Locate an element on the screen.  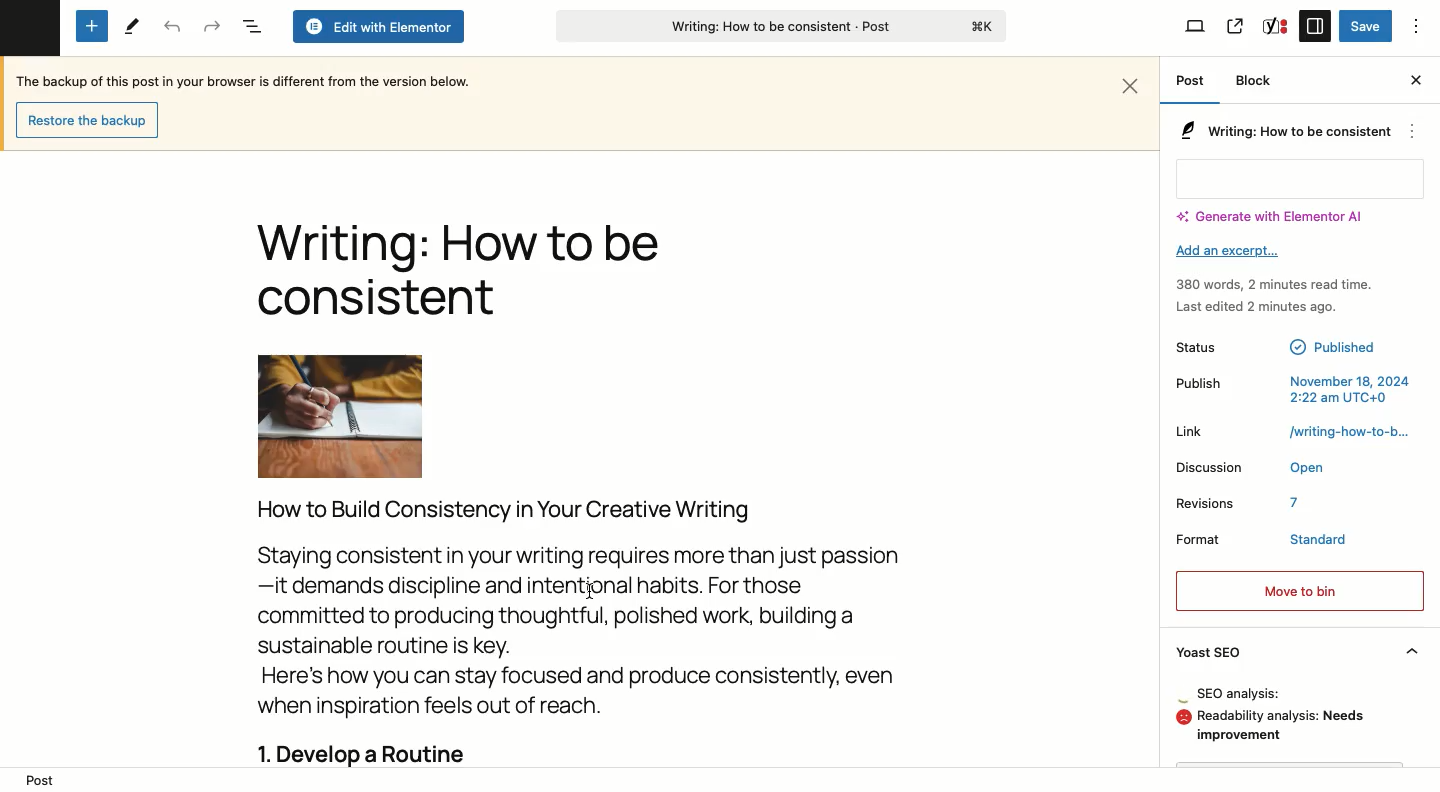
View post is located at coordinates (1234, 26).